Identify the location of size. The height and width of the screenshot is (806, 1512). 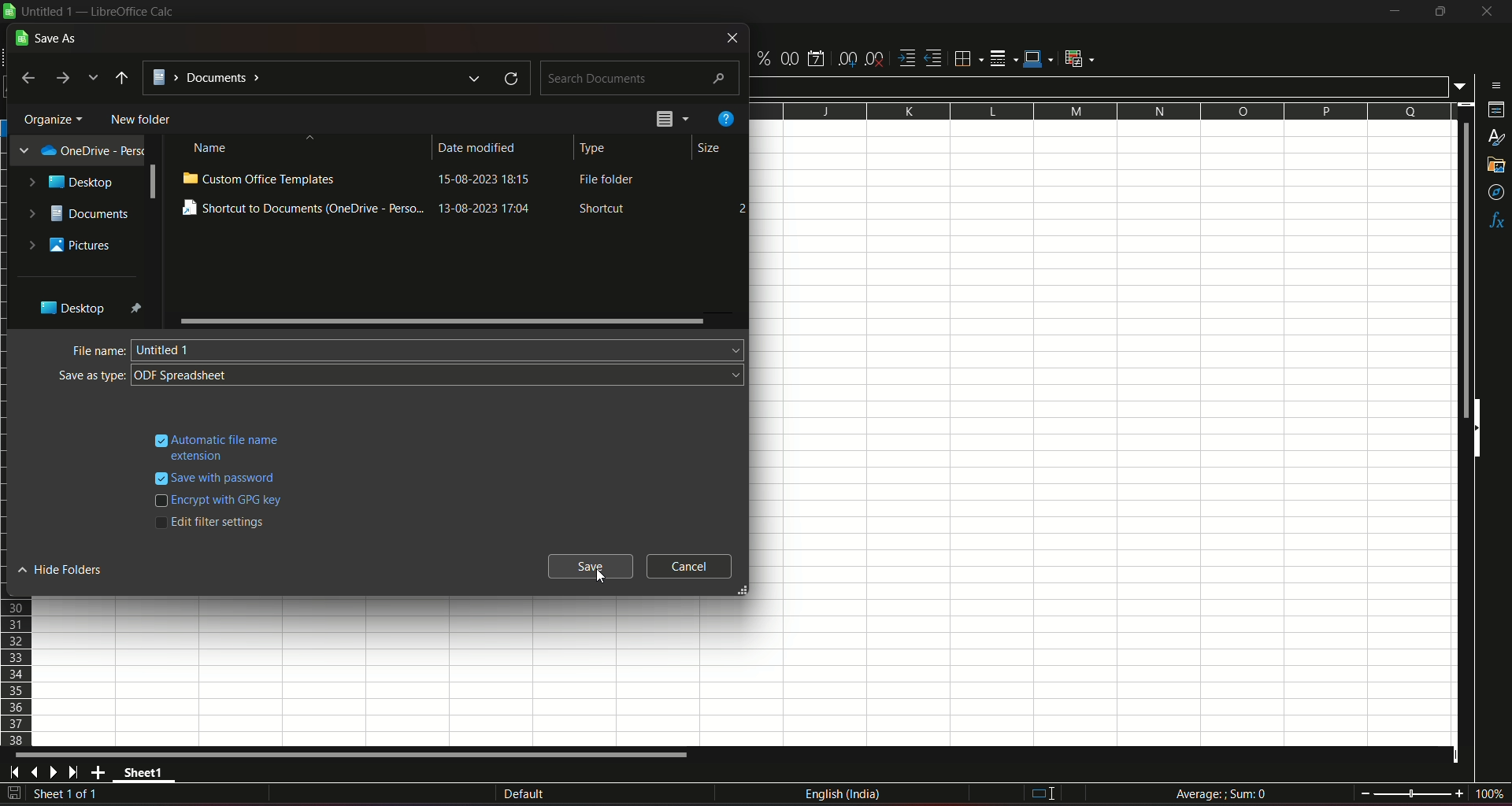
(708, 150).